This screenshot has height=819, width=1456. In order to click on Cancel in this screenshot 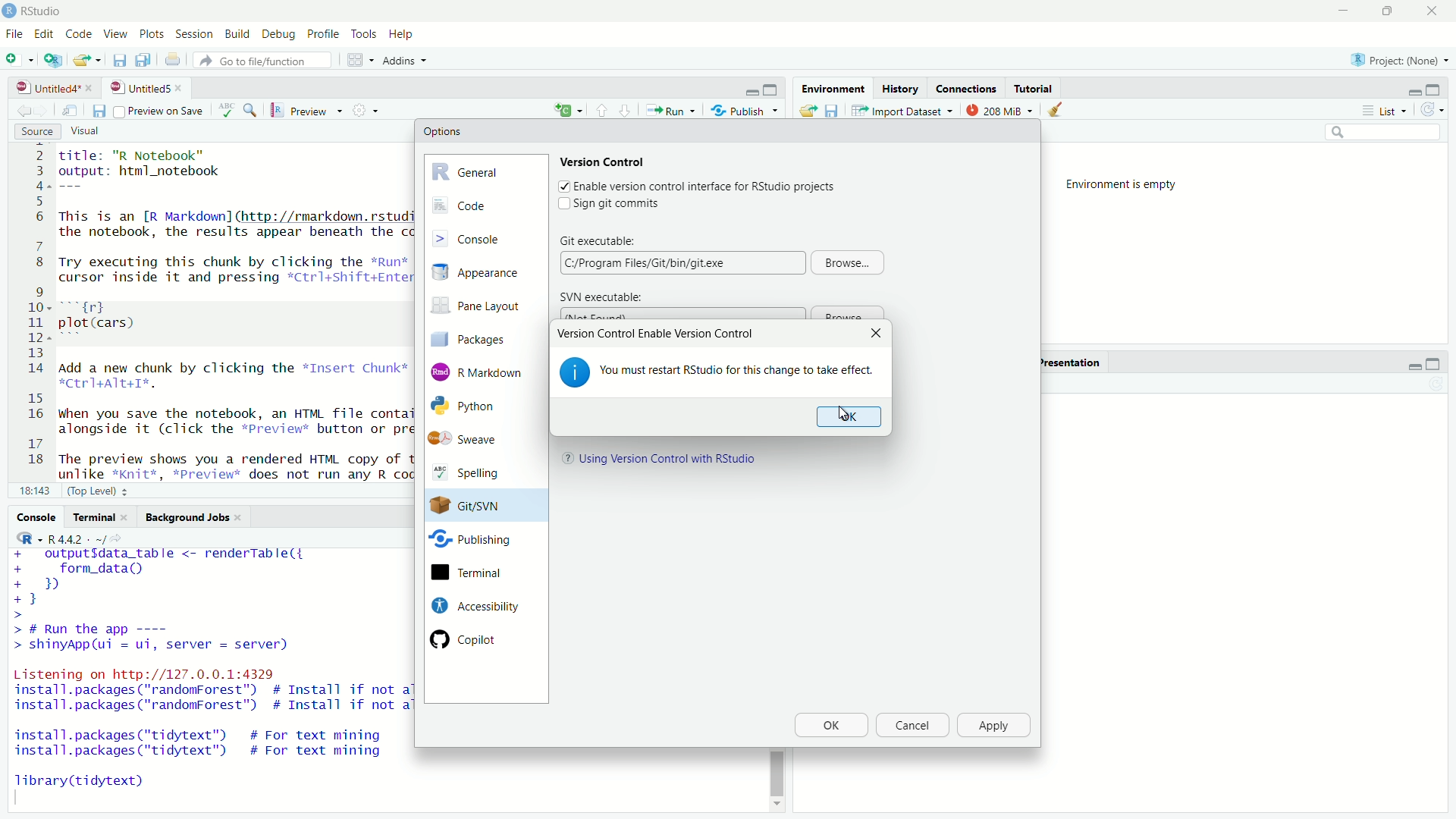, I will do `click(911, 726)`.